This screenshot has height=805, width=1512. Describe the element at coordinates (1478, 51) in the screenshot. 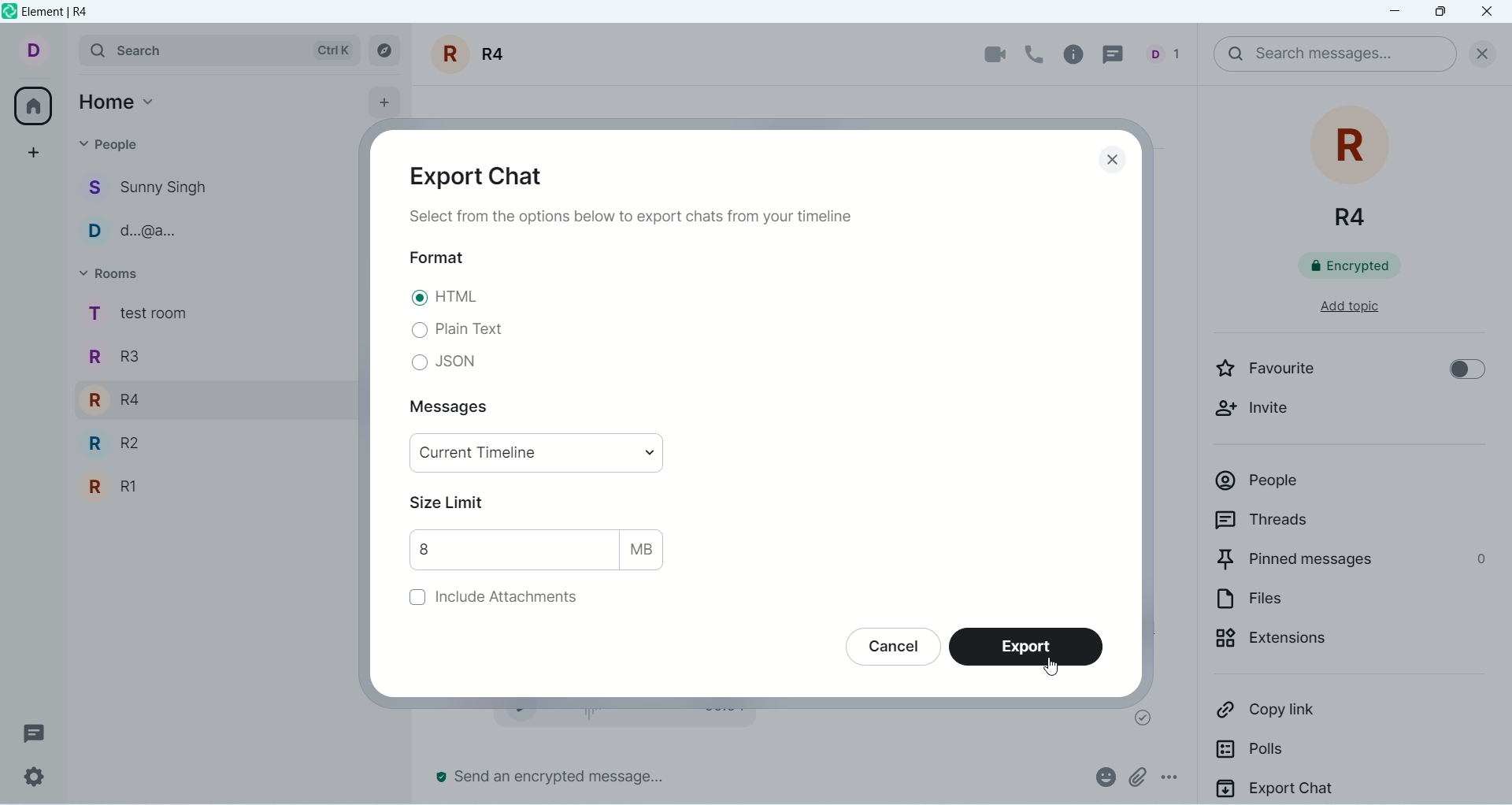

I see `close` at that location.